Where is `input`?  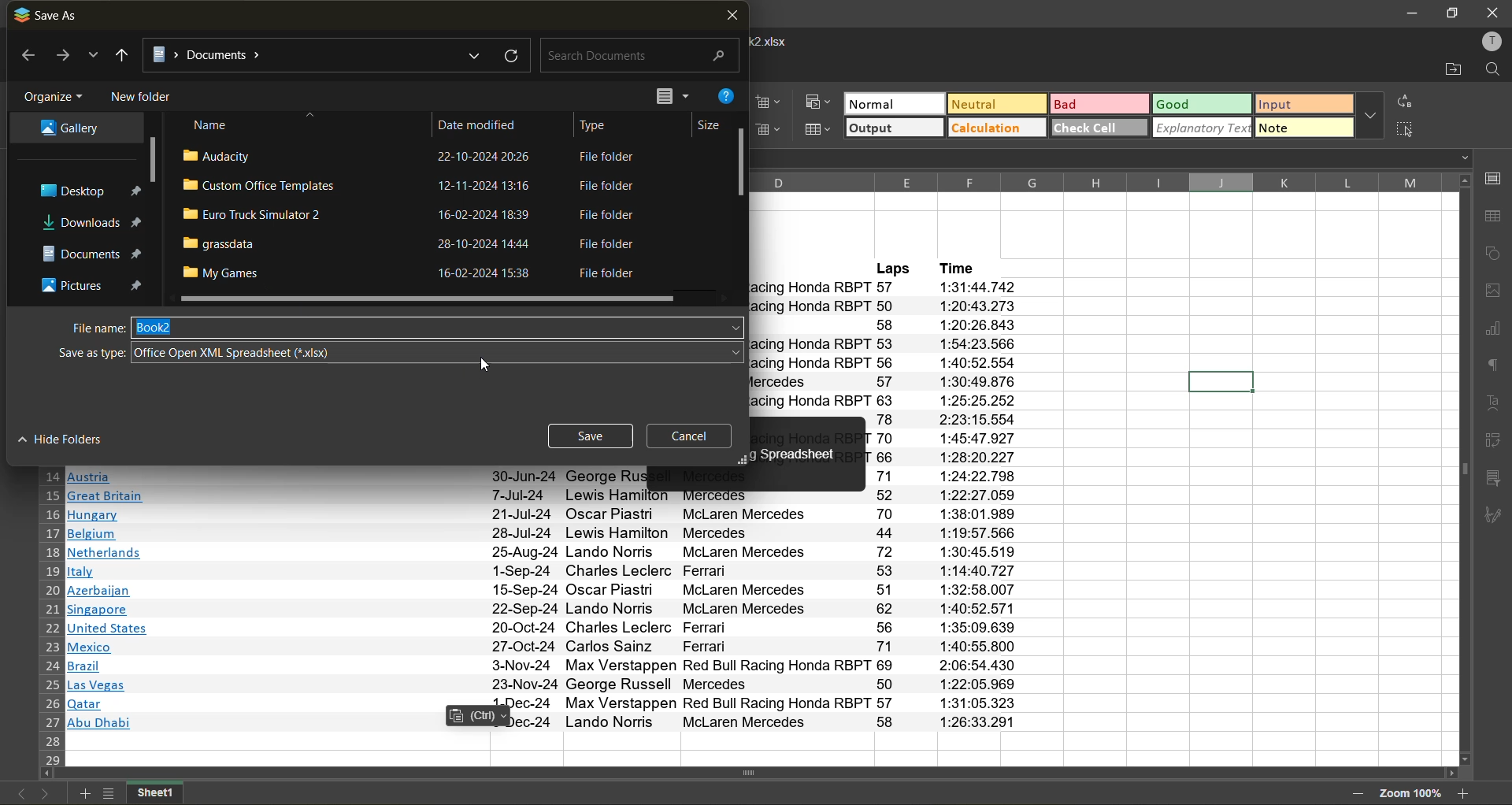
input is located at coordinates (1304, 103).